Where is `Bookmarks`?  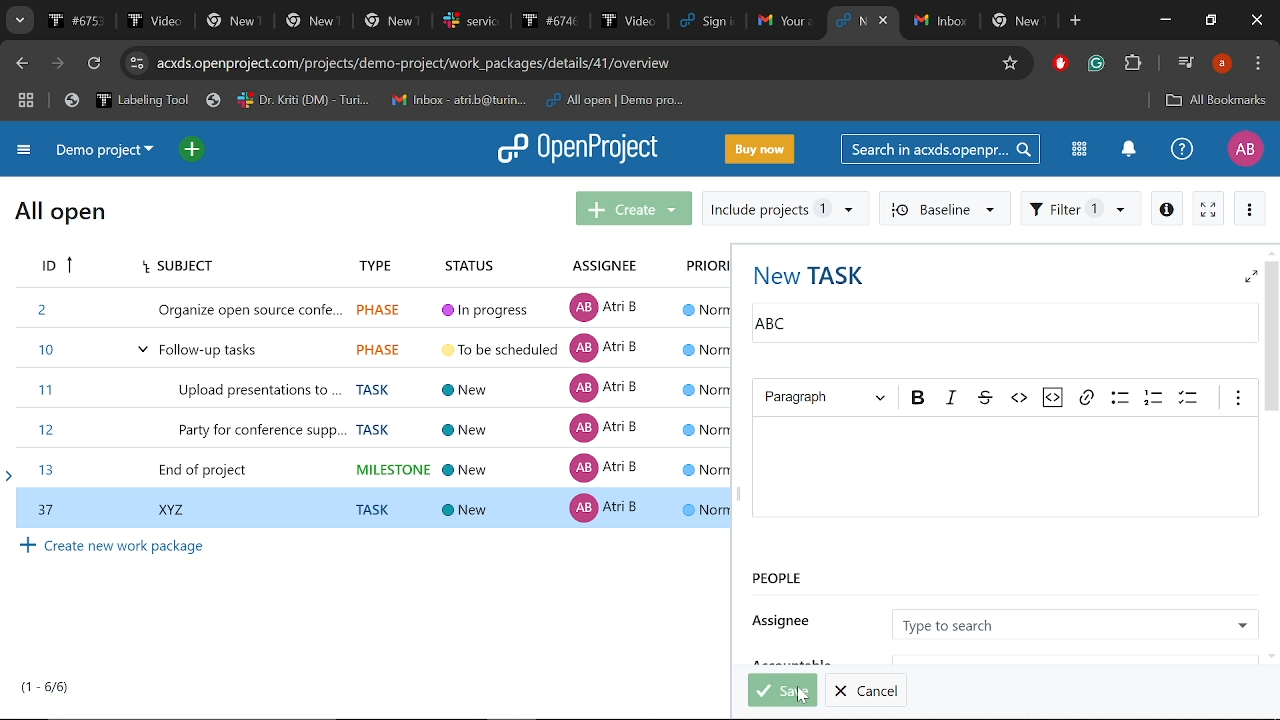 Bookmarks is located at coordinates (374, 101).